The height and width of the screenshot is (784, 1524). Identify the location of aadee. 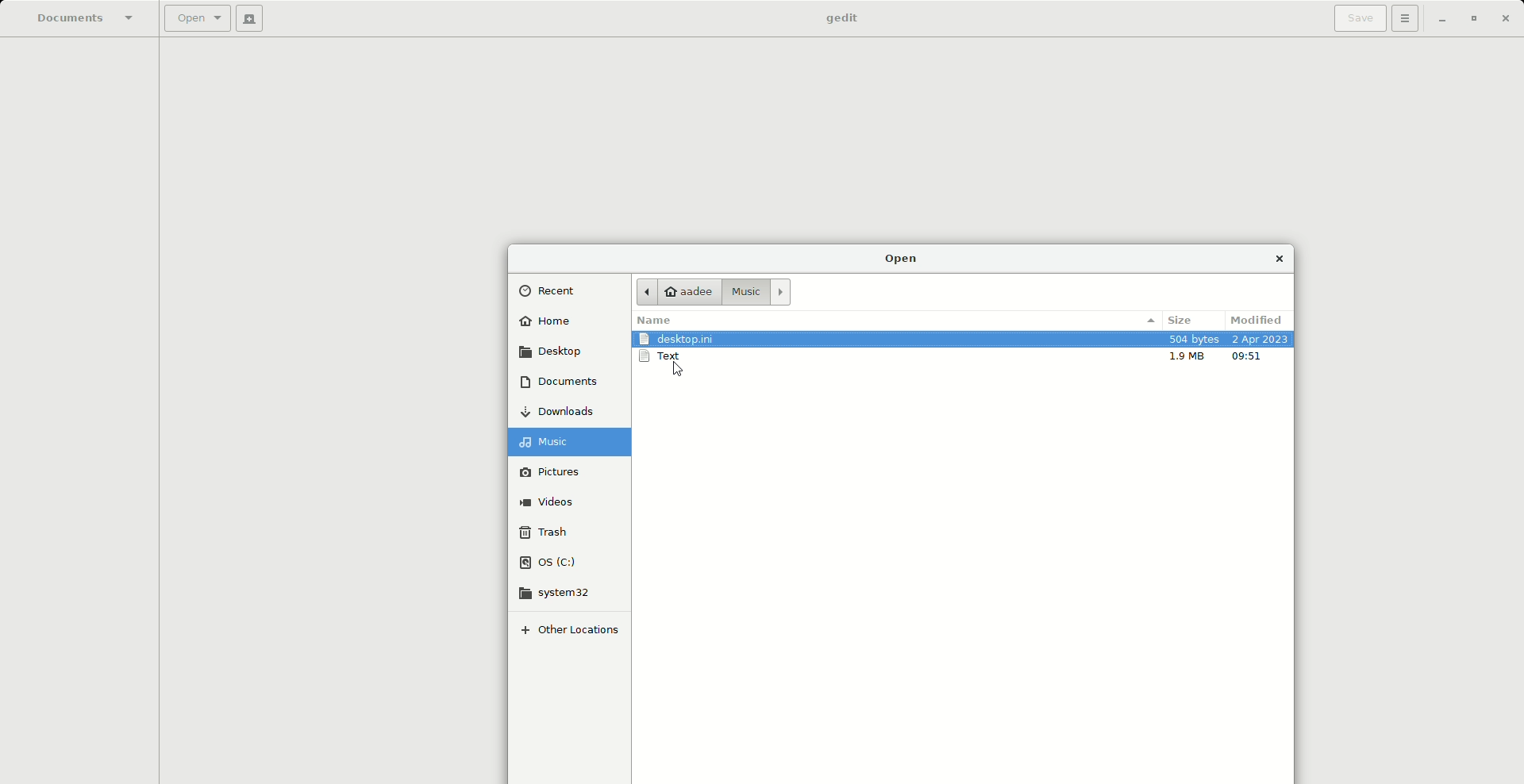
(675, 290).